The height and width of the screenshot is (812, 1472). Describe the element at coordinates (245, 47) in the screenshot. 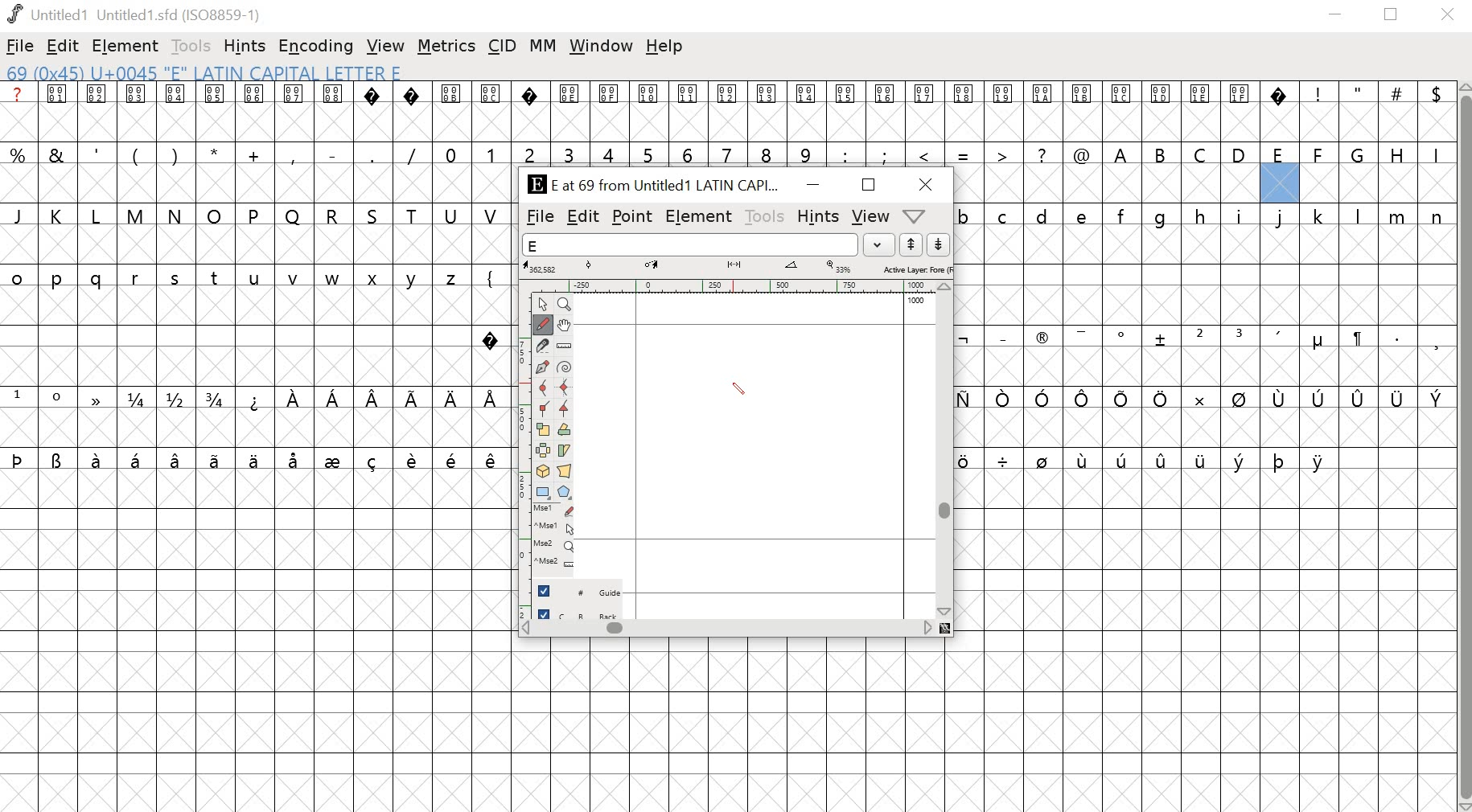

I see `hints` at that location.